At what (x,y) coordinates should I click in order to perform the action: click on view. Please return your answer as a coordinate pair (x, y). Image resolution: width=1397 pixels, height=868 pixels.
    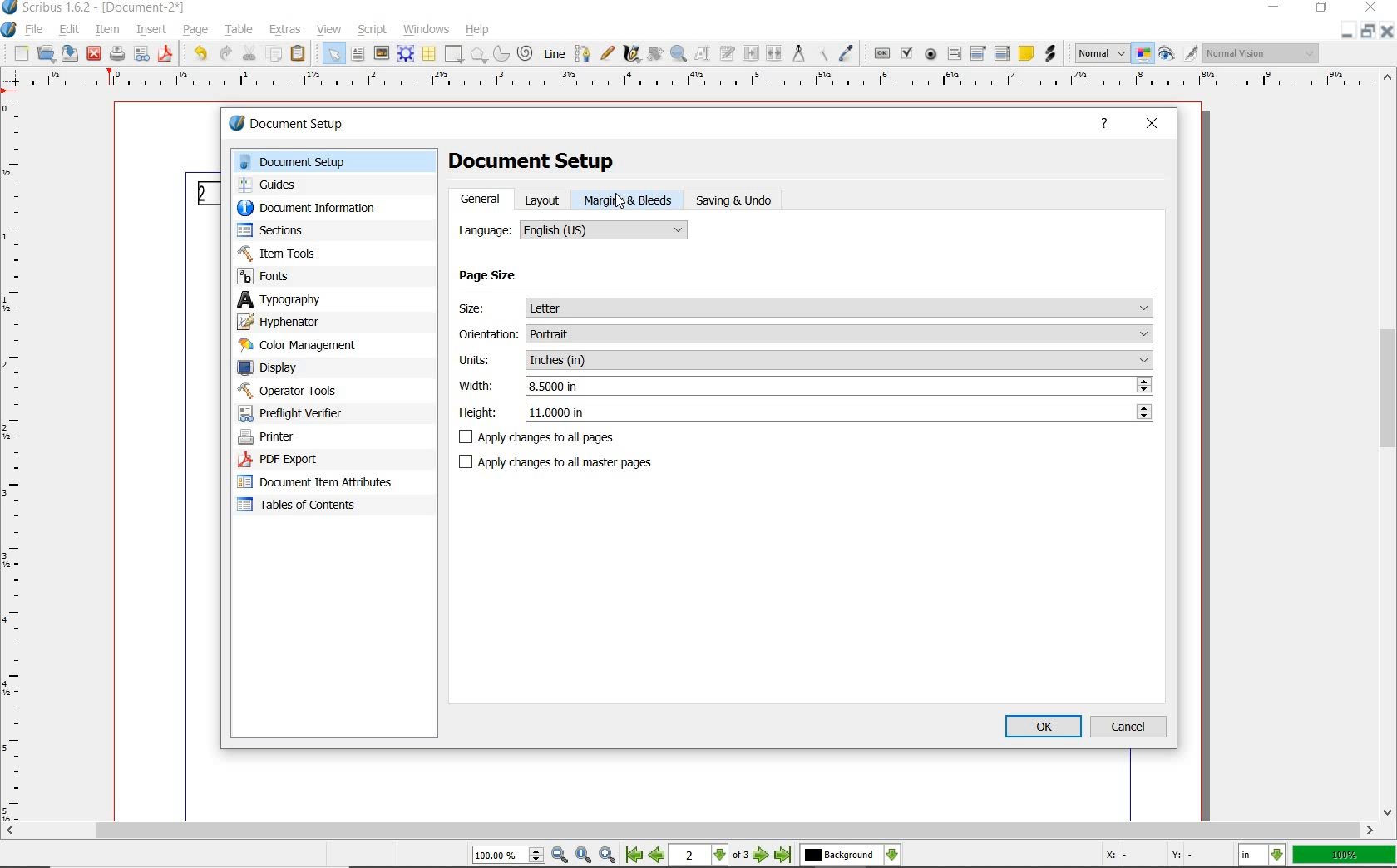
    Looking at the image, I should click on (328, 29).